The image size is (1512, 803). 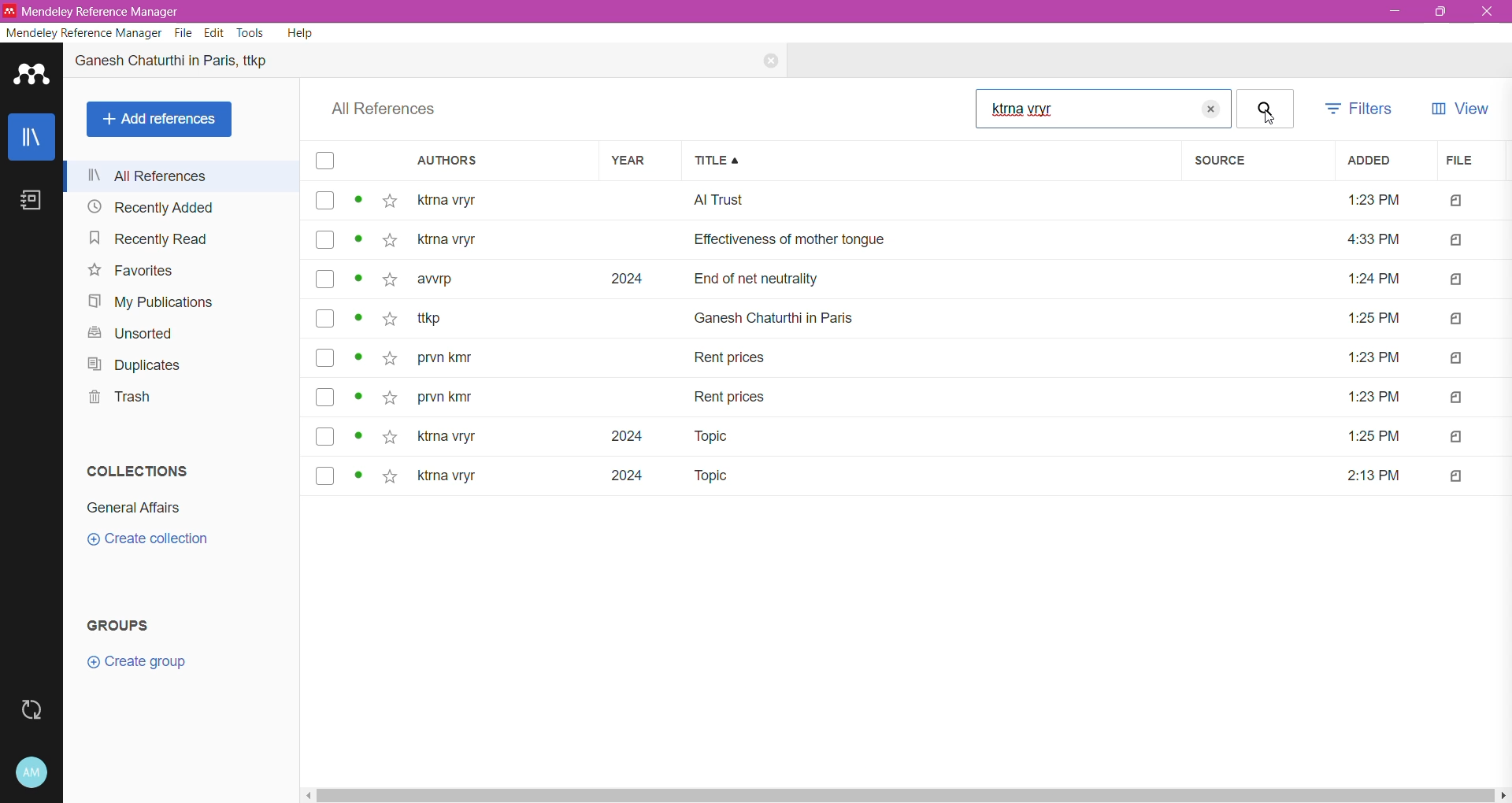 I want to click on Notes, so click(x=31, y=202).